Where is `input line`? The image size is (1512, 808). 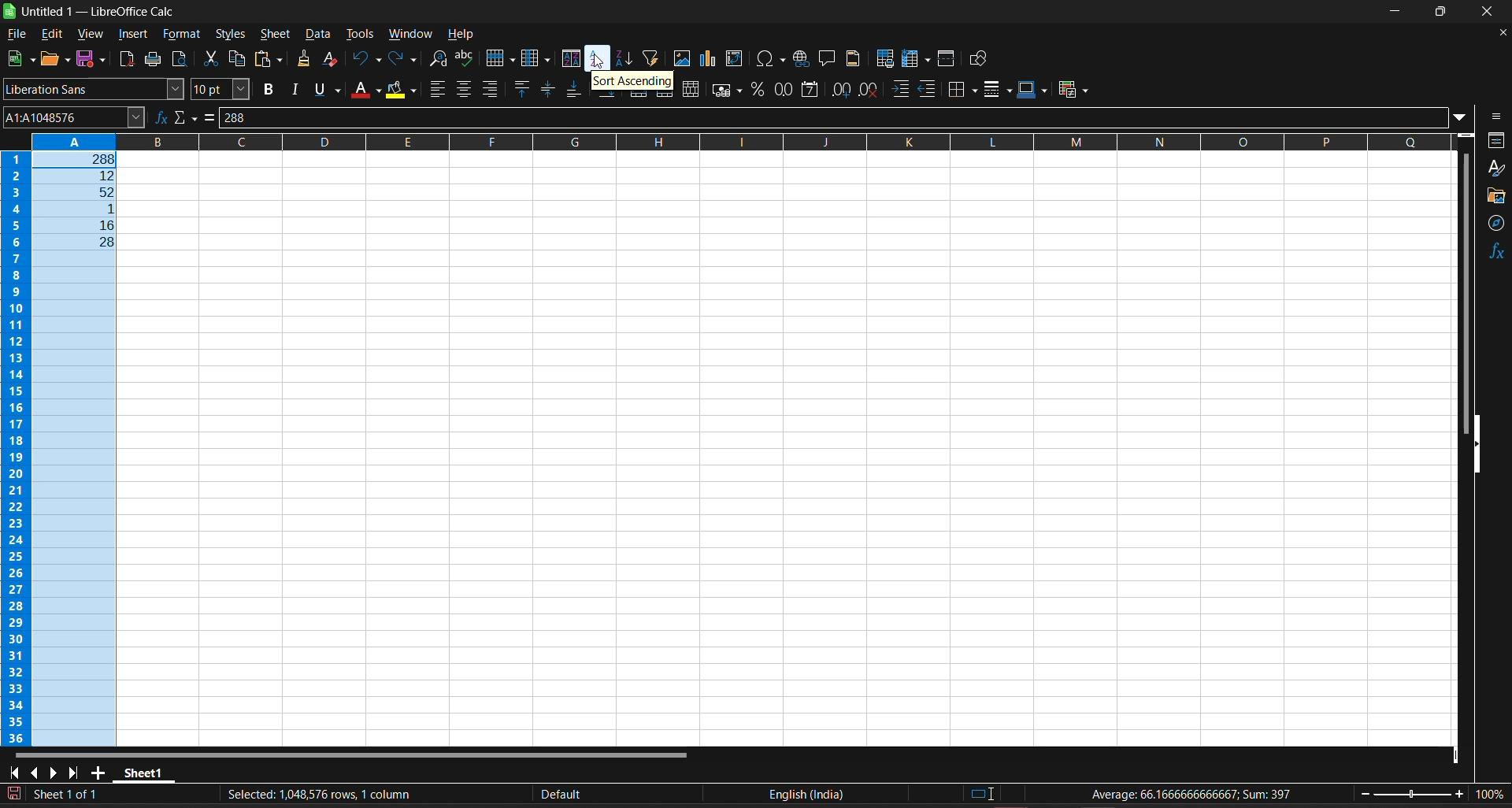
input line is located at coordinates (841, 118).